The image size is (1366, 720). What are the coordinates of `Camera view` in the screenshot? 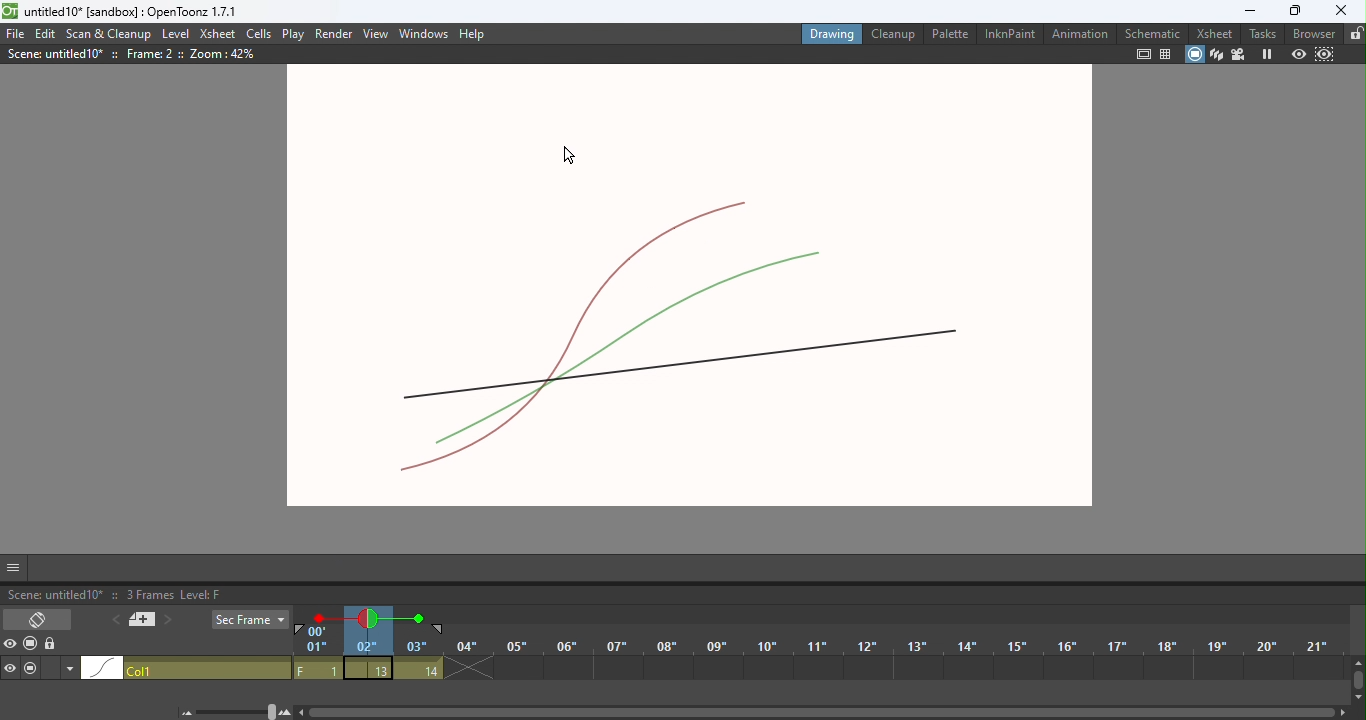 It's located at (1239, 55).